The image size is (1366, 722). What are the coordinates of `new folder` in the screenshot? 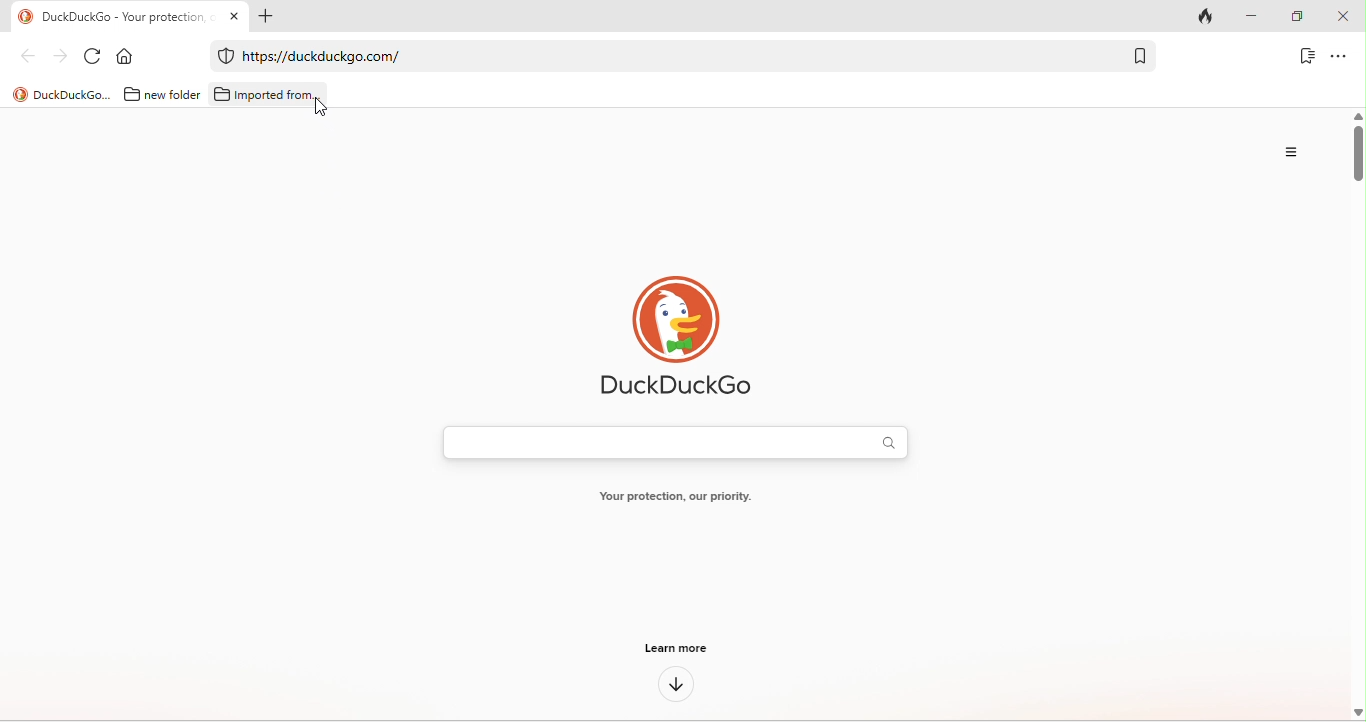 It's located at (159, 94).